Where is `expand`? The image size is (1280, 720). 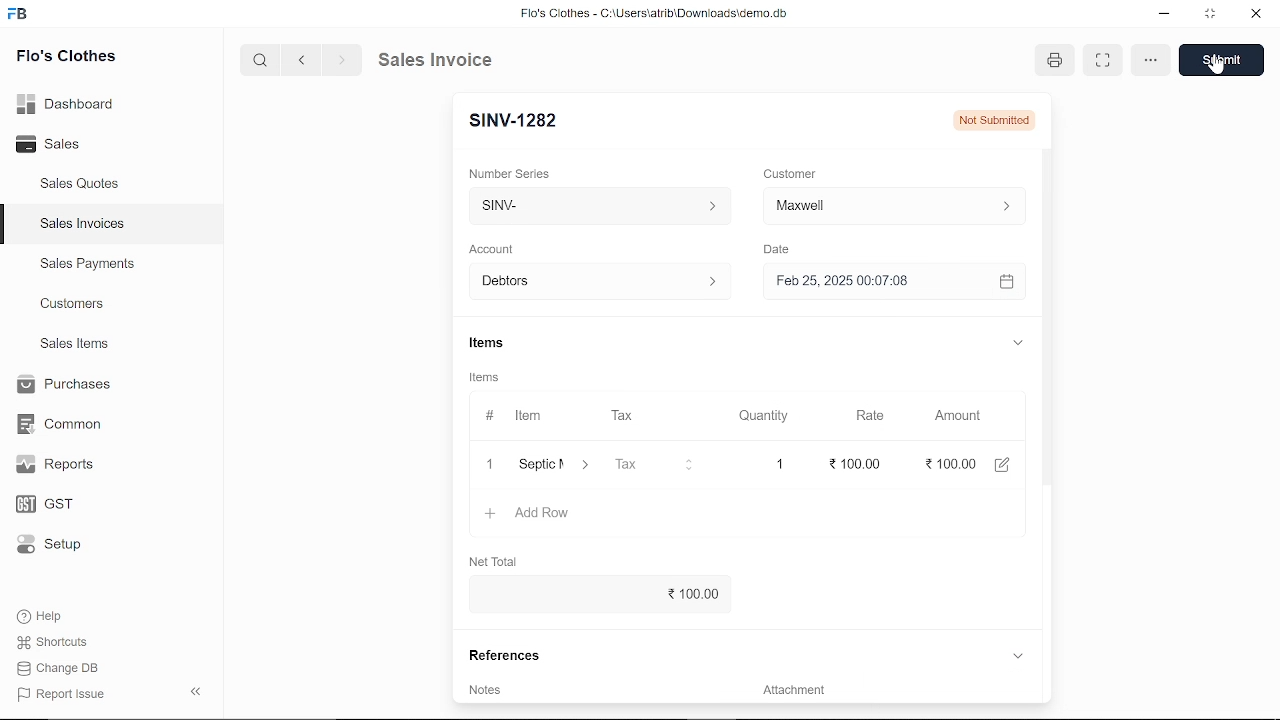 expand is located at coordinates (1020, 344).